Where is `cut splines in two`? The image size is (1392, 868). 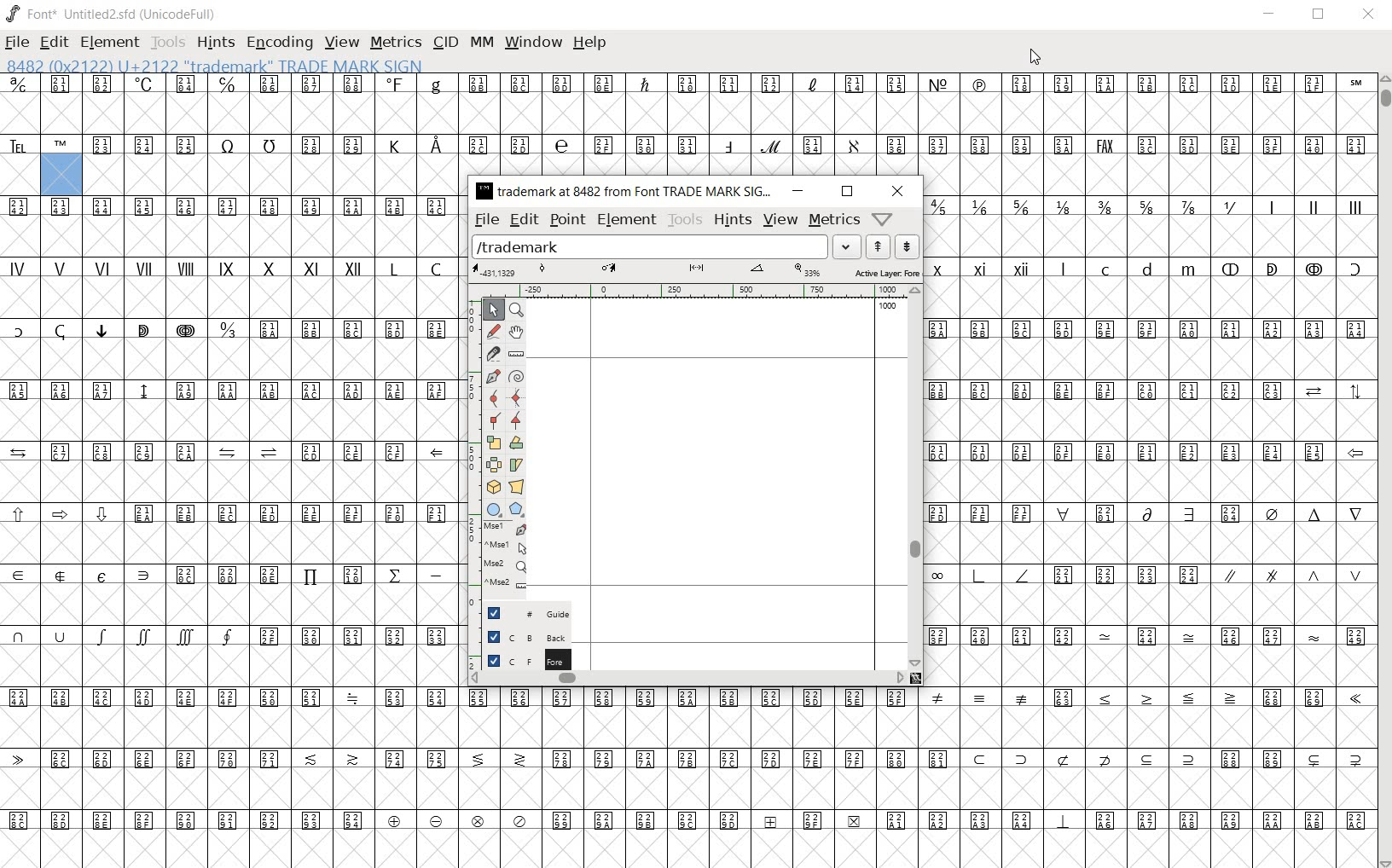 cut splines in two is located at coordinates (491, 353).